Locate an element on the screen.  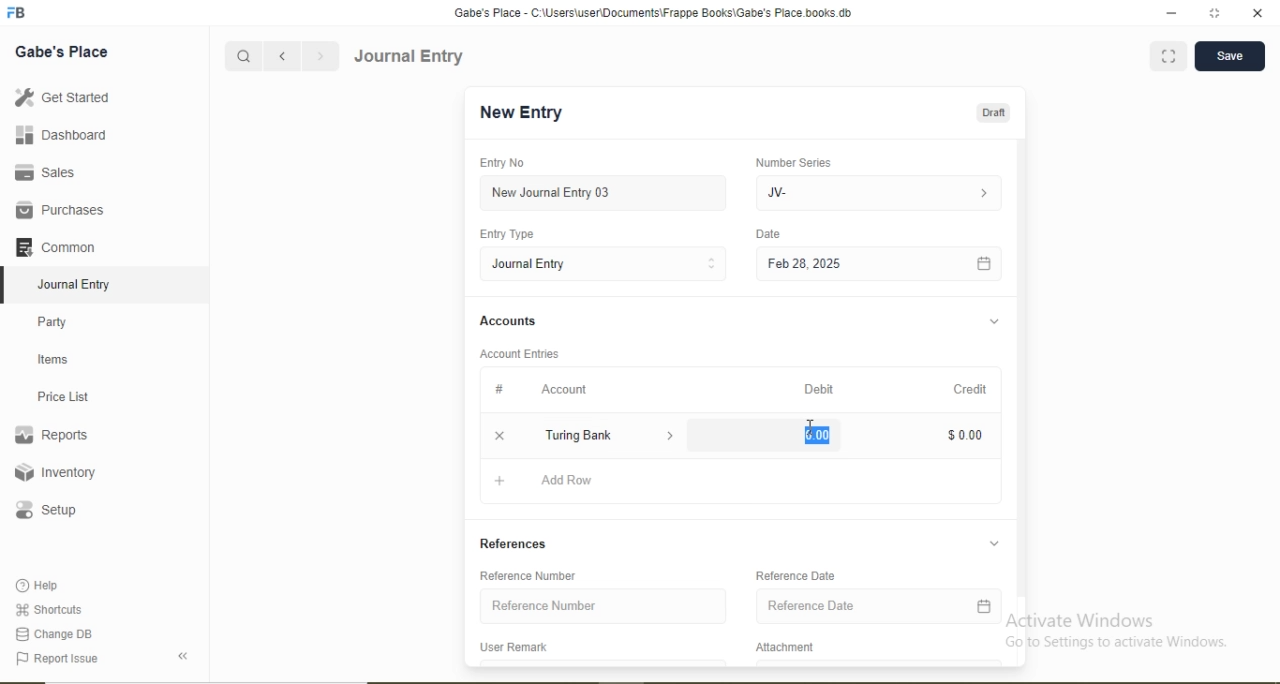
Dropdown is located at coordinates (995, 322).